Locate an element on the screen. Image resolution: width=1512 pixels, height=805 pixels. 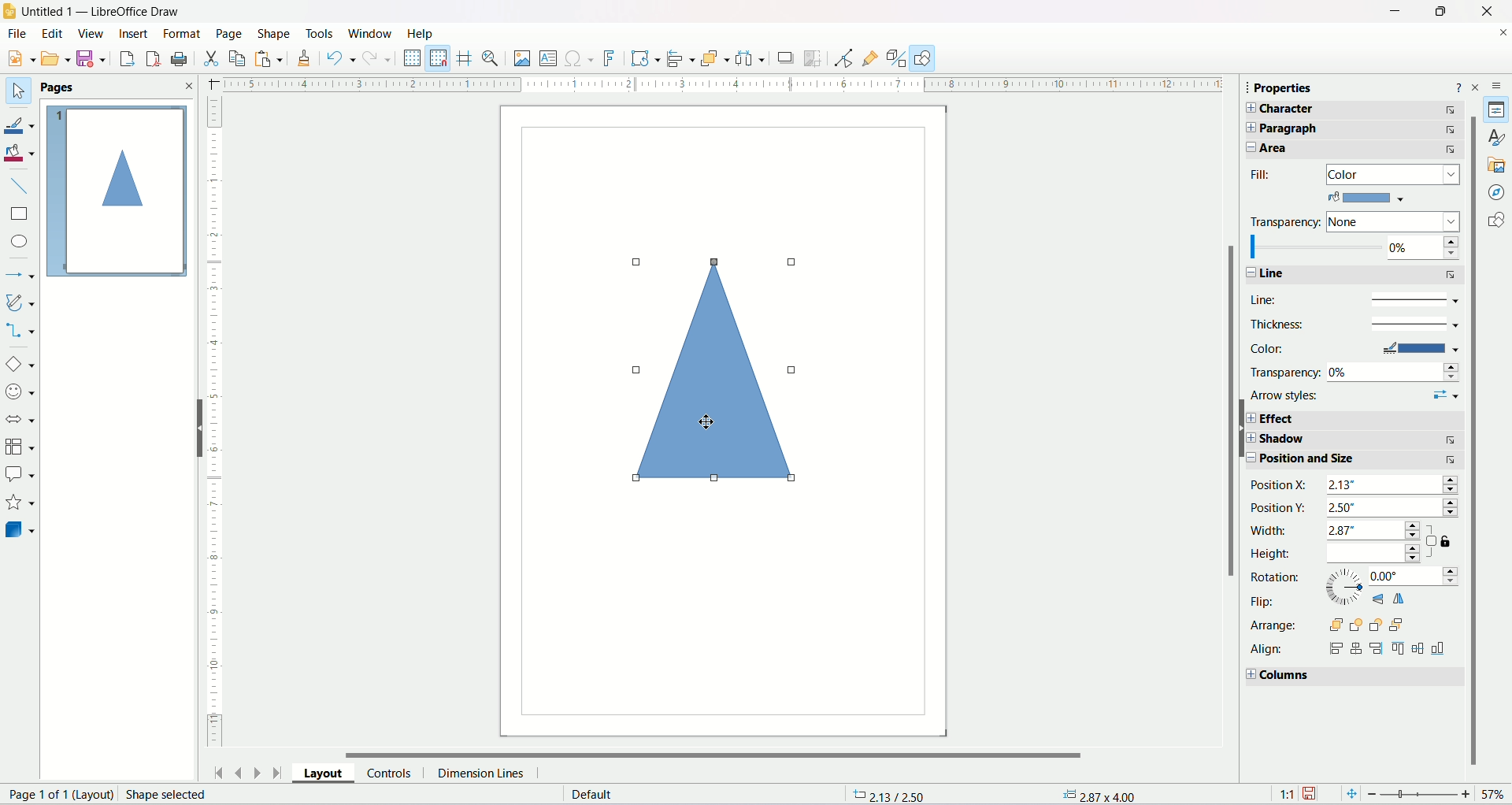
Align objects is located at coordinates (680, 57).